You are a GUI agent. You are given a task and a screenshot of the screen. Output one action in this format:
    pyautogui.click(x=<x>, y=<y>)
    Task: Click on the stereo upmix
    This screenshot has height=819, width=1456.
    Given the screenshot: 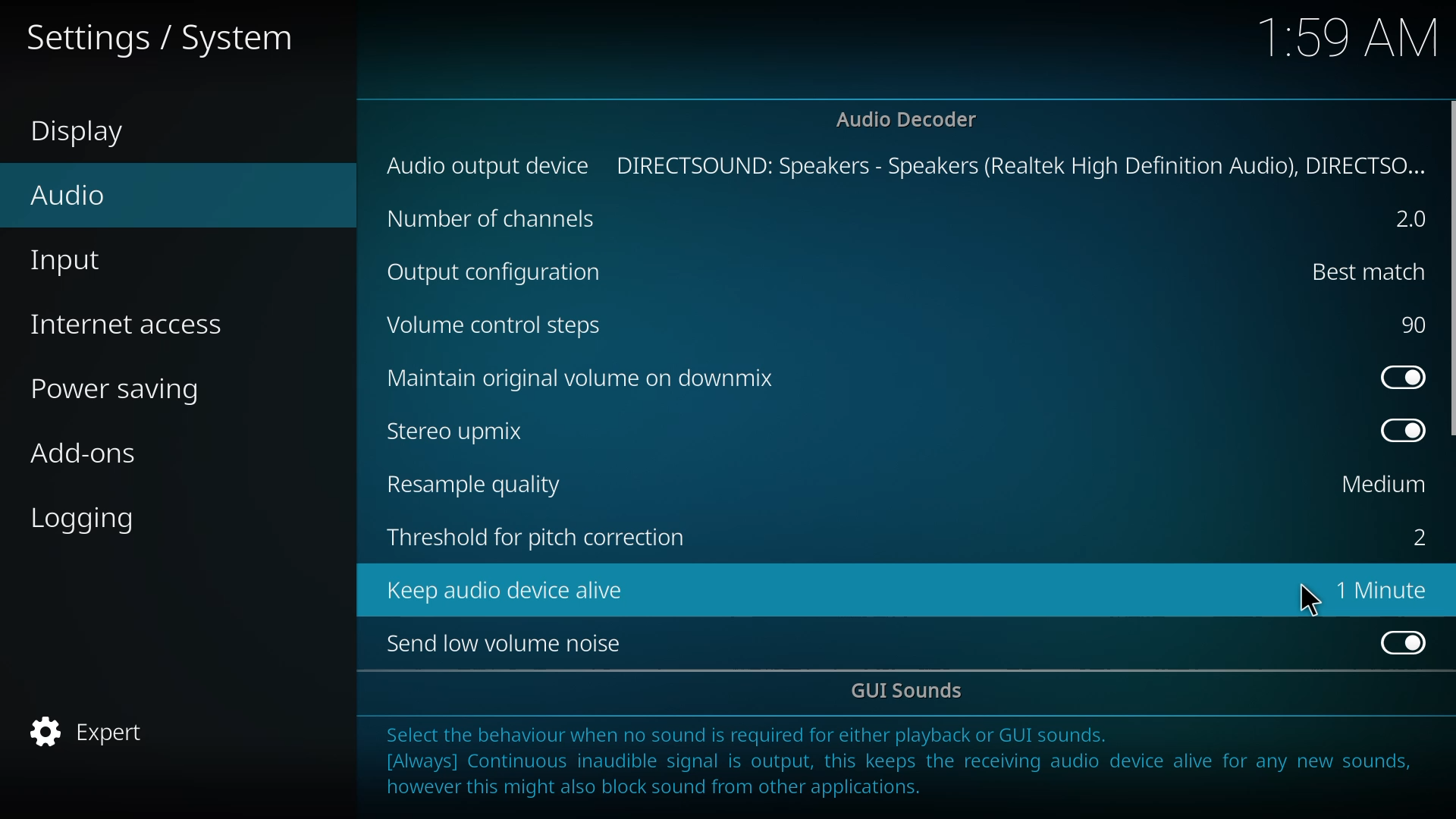 What is the action you would take?
    pyautogui.click(x=465, y=430)
    